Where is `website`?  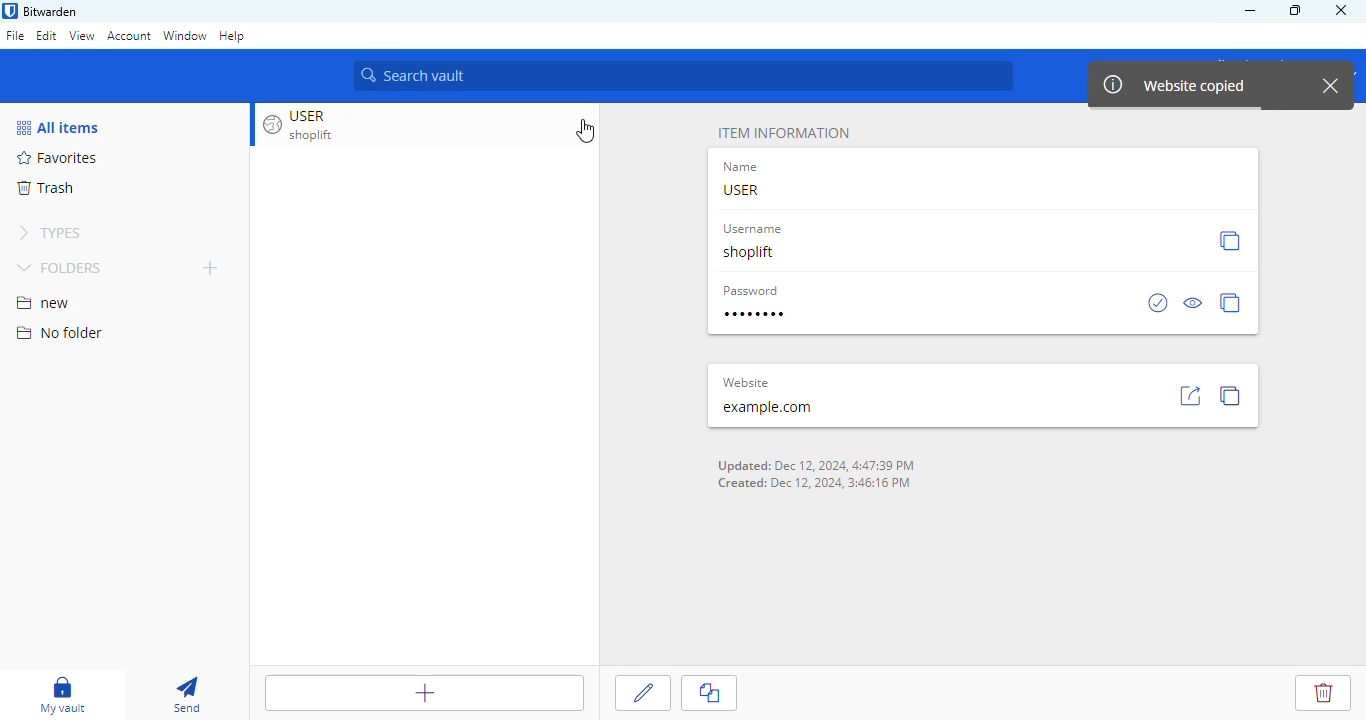
website is located at coordinates (745, 382).